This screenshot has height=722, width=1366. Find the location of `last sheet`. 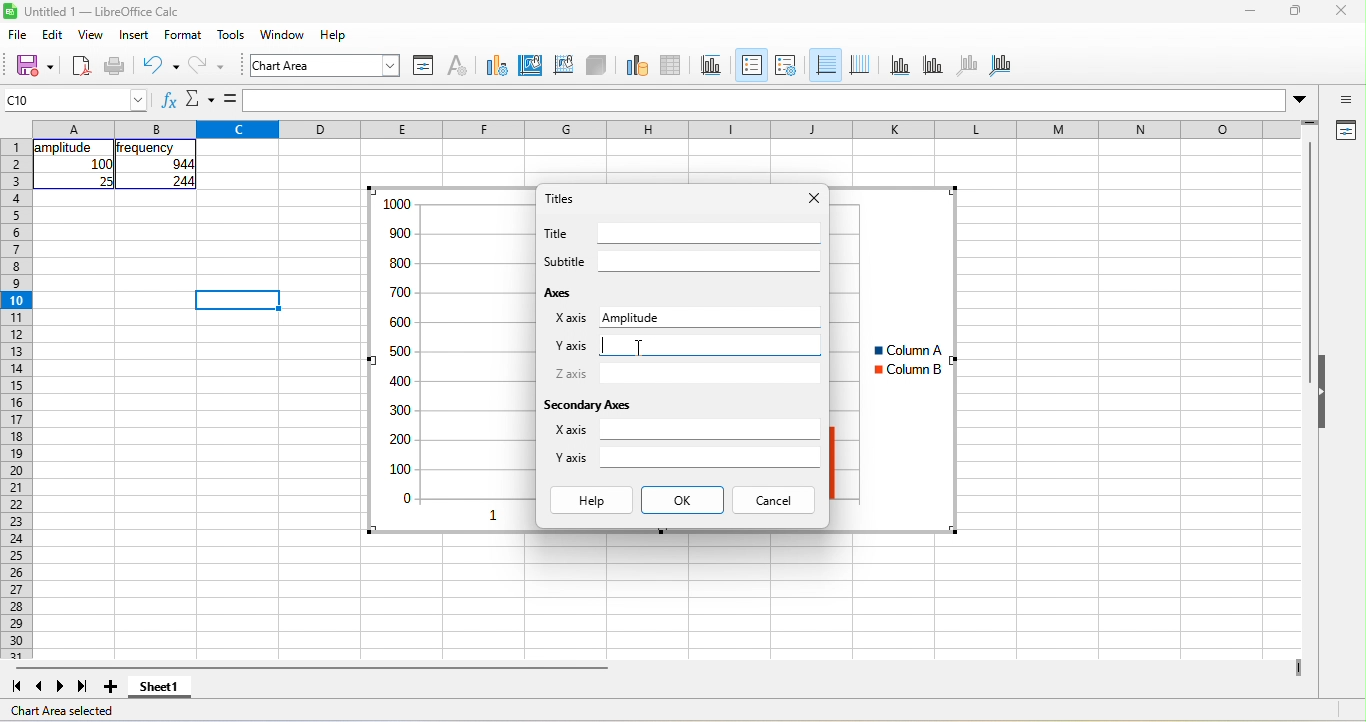

last sheet is located at coordinates (83, 687).